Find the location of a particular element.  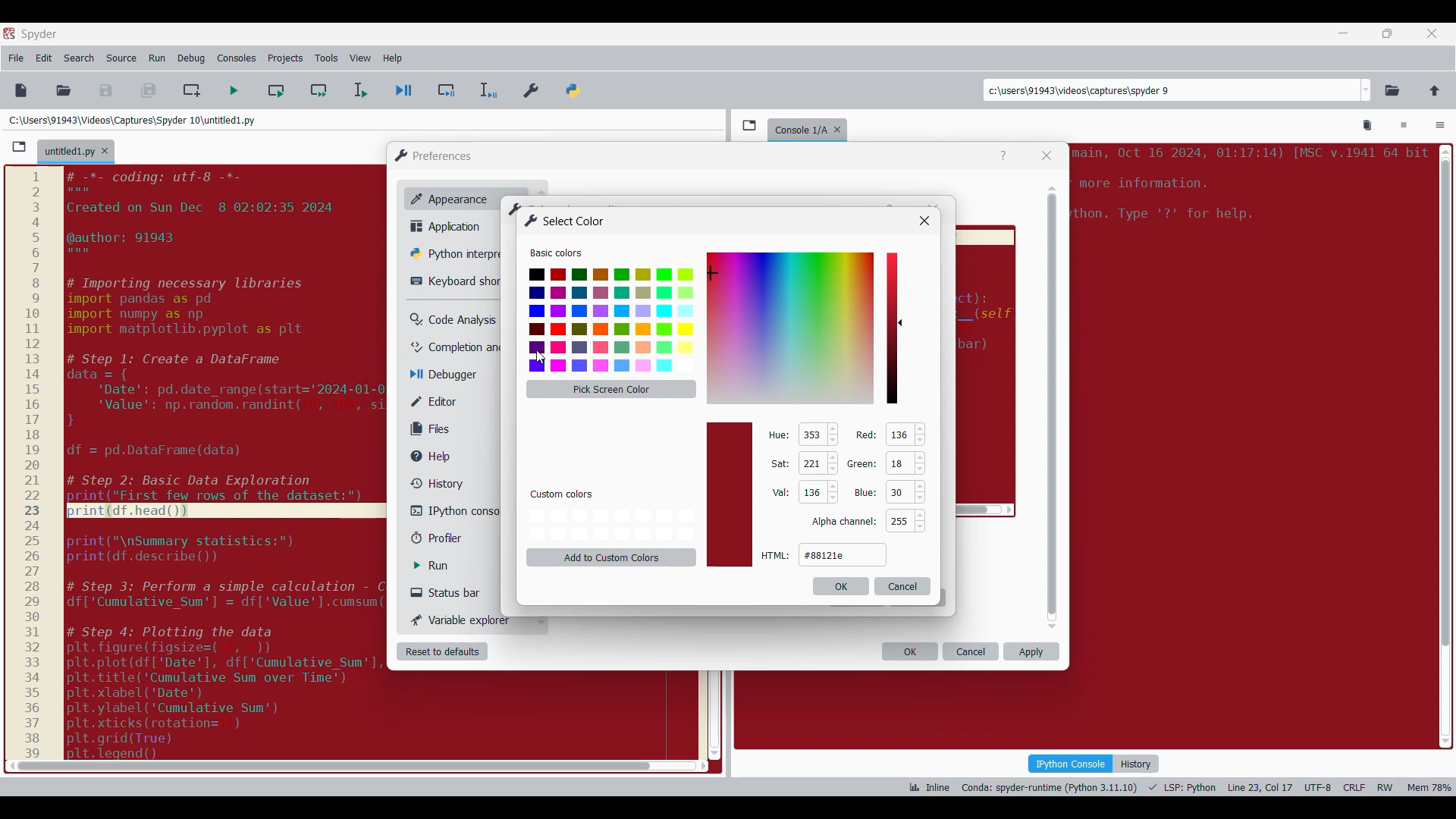

IPython console is located at coordinates (1070, 763).